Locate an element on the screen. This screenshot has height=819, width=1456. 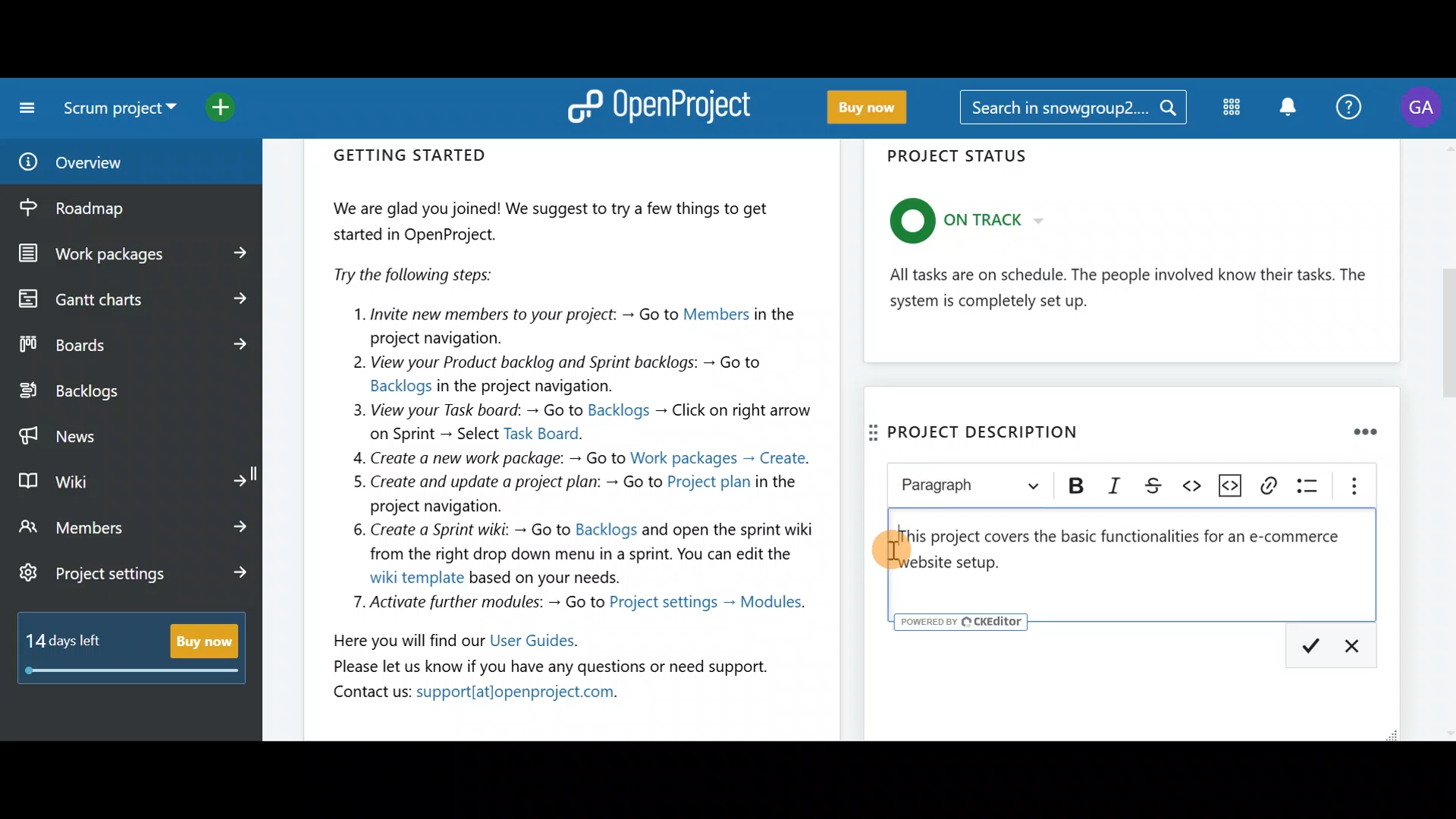
Getting started is located at coordinates (573, 428).